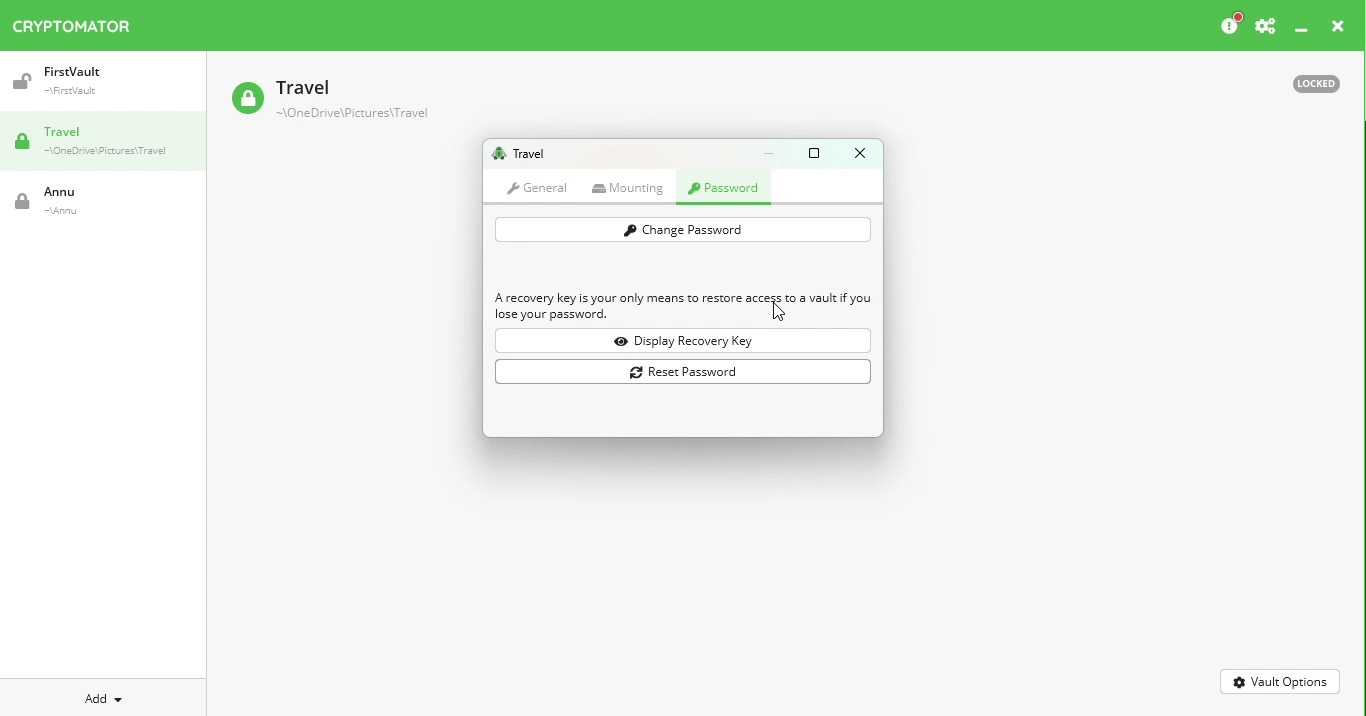  Describe the element at coordinates (537, 187) in the screenshot. I see `General` at that location.